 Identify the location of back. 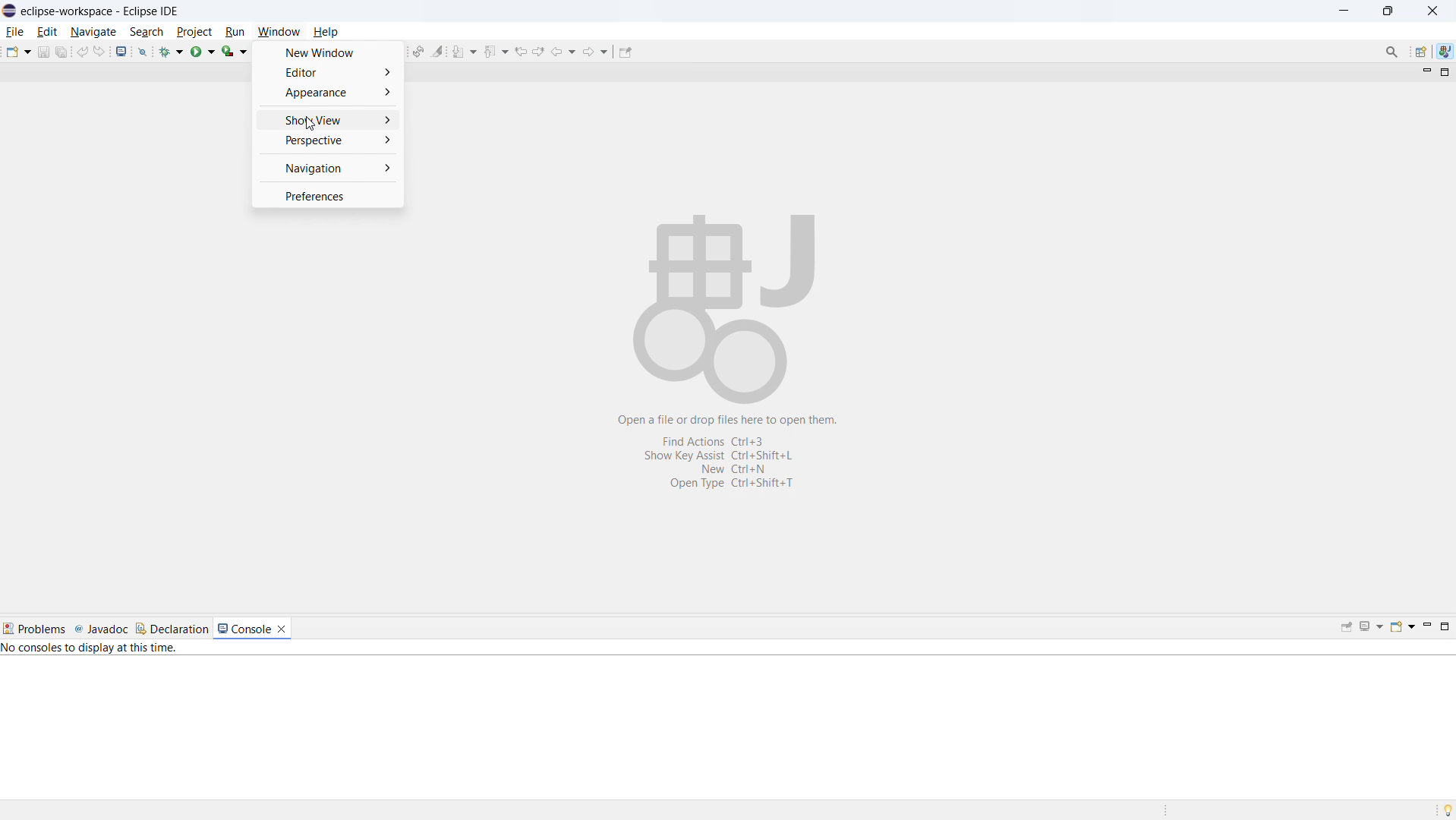
(563, 50).